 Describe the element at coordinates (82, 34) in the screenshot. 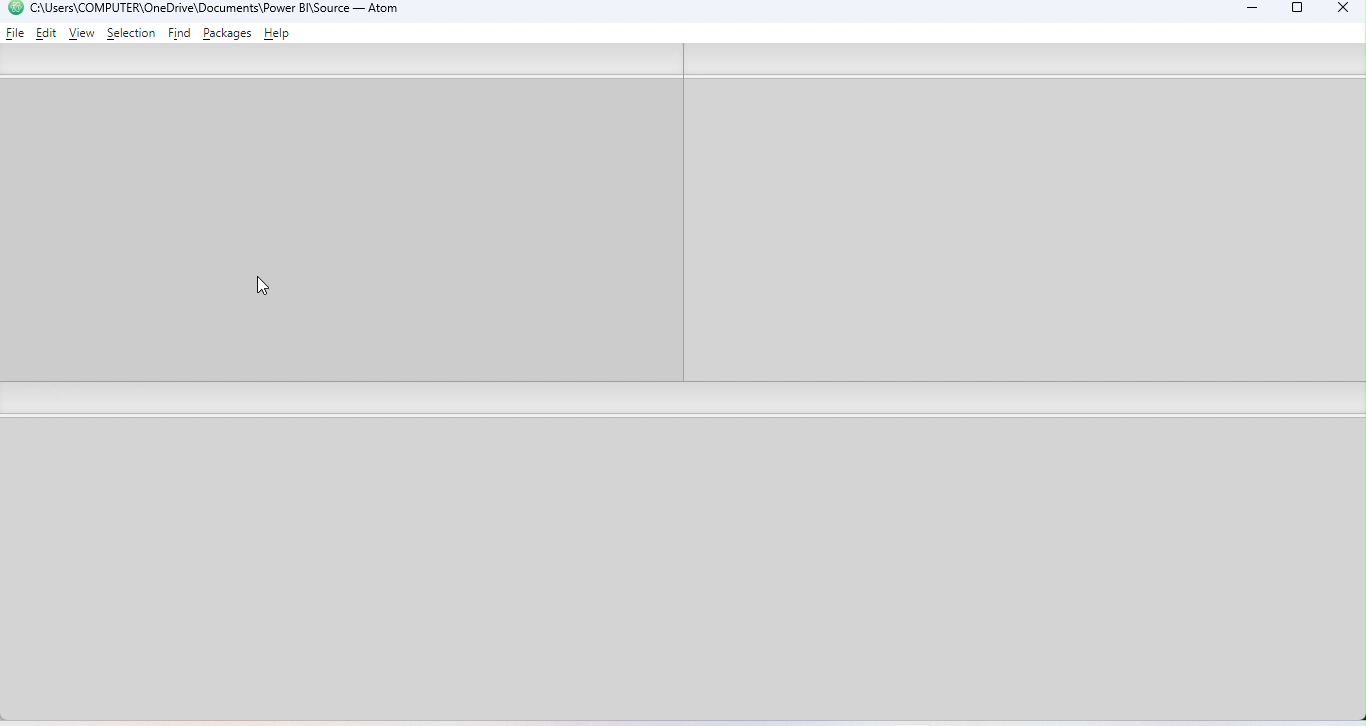

I see `View` at that location.